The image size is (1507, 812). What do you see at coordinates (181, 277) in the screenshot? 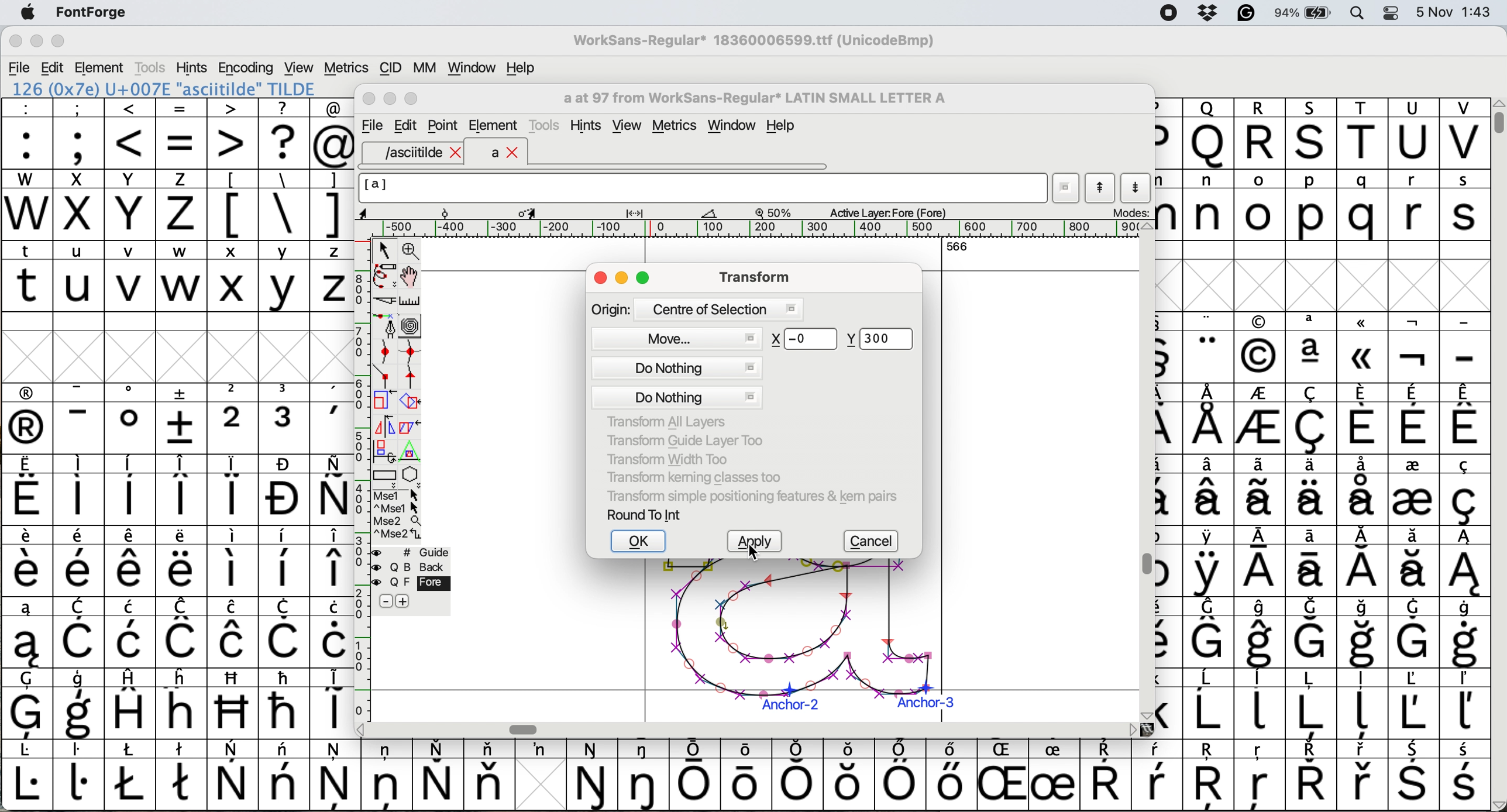
I see `w` at bounding box center [181, 277].